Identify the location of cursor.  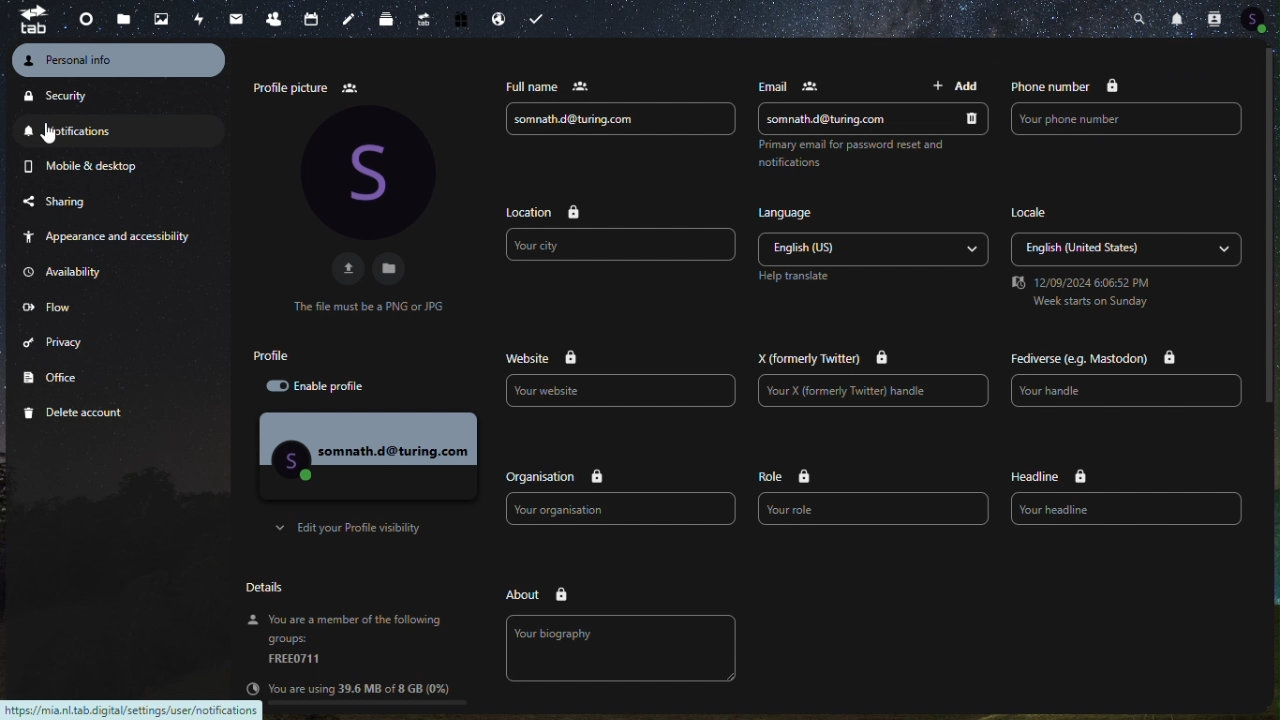
(50, 132).